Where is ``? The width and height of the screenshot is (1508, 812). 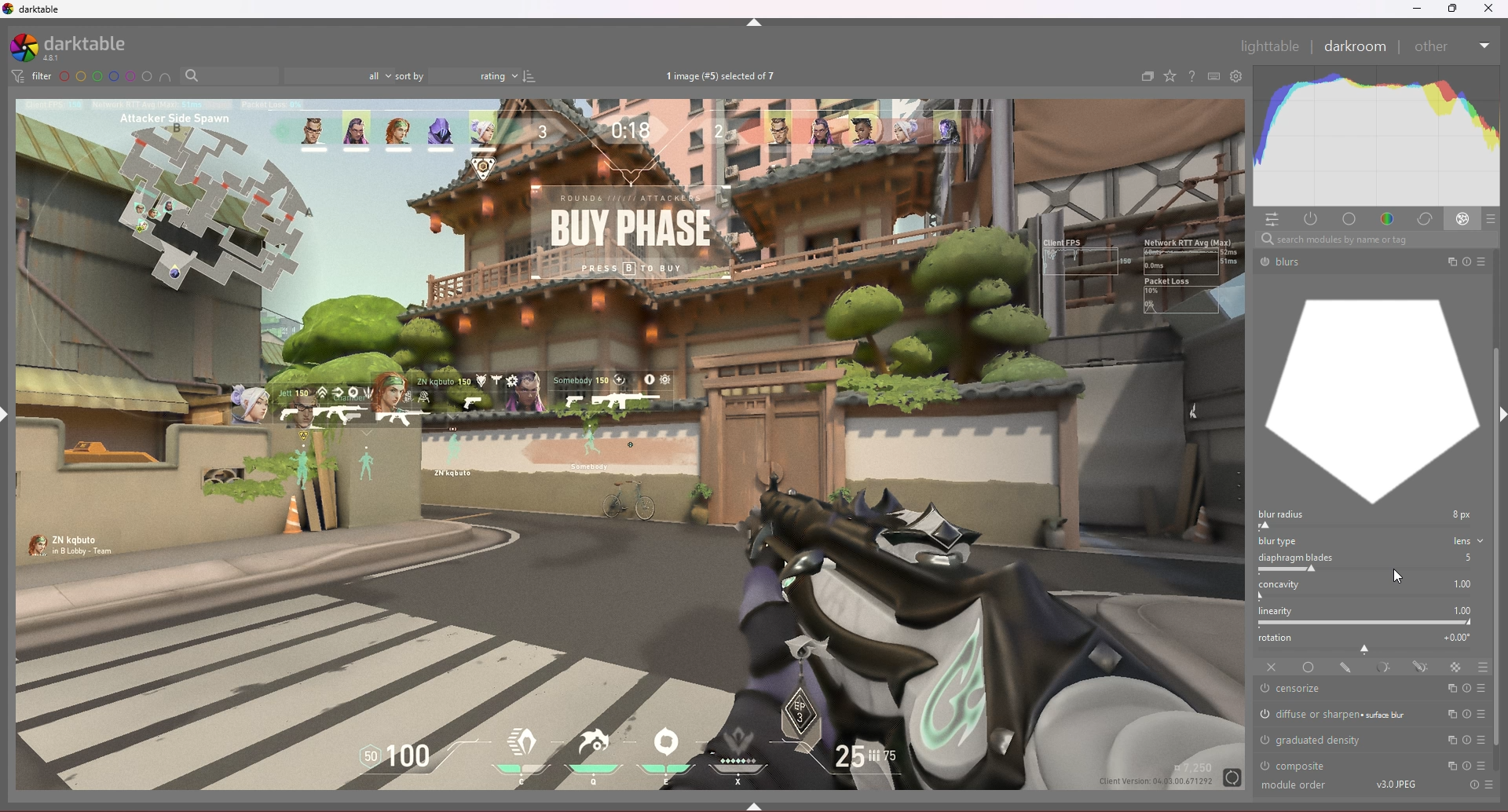
 is located at coordinates (1484, 46).